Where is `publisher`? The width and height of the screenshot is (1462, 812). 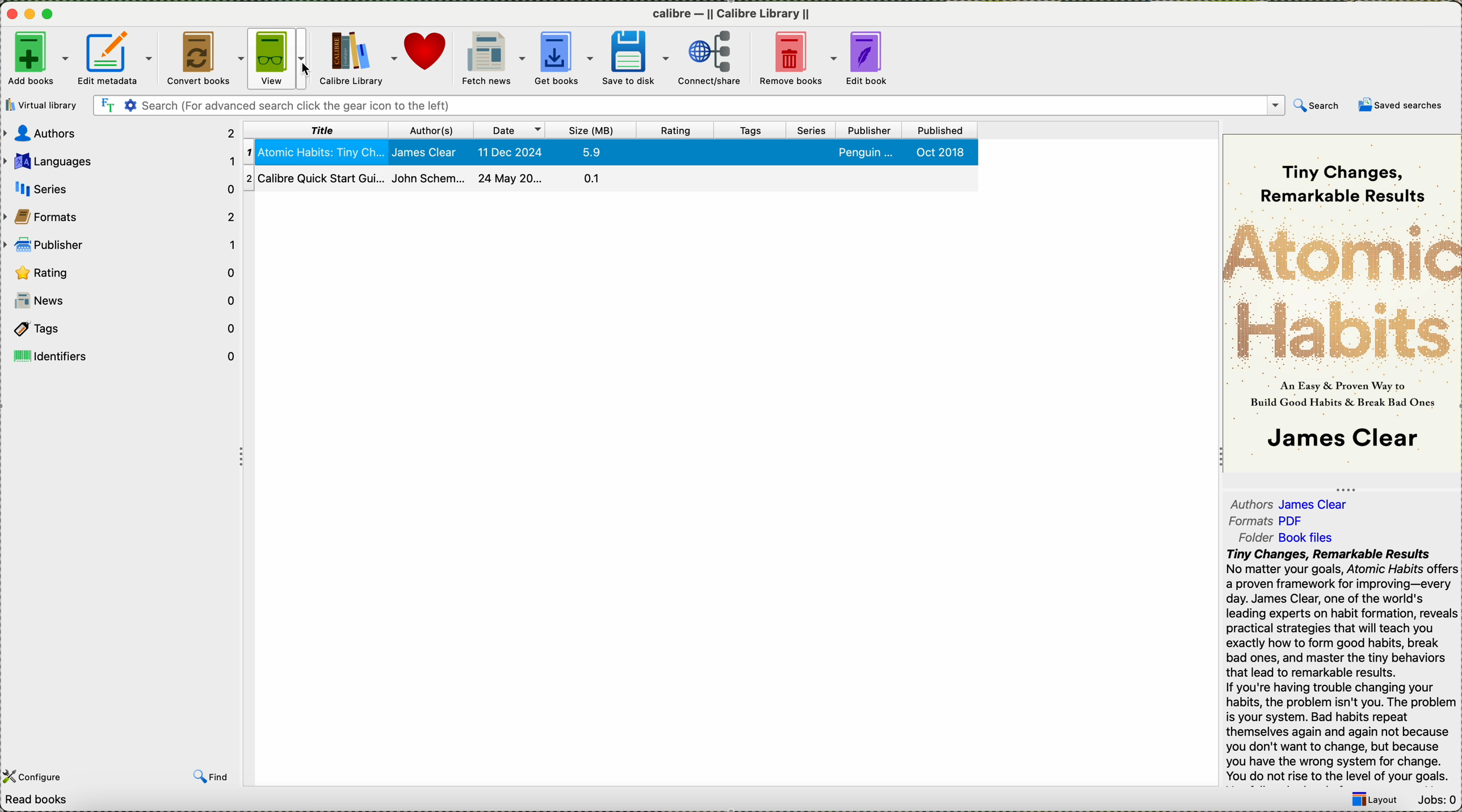 publisher is located at coordinates (869, 131).